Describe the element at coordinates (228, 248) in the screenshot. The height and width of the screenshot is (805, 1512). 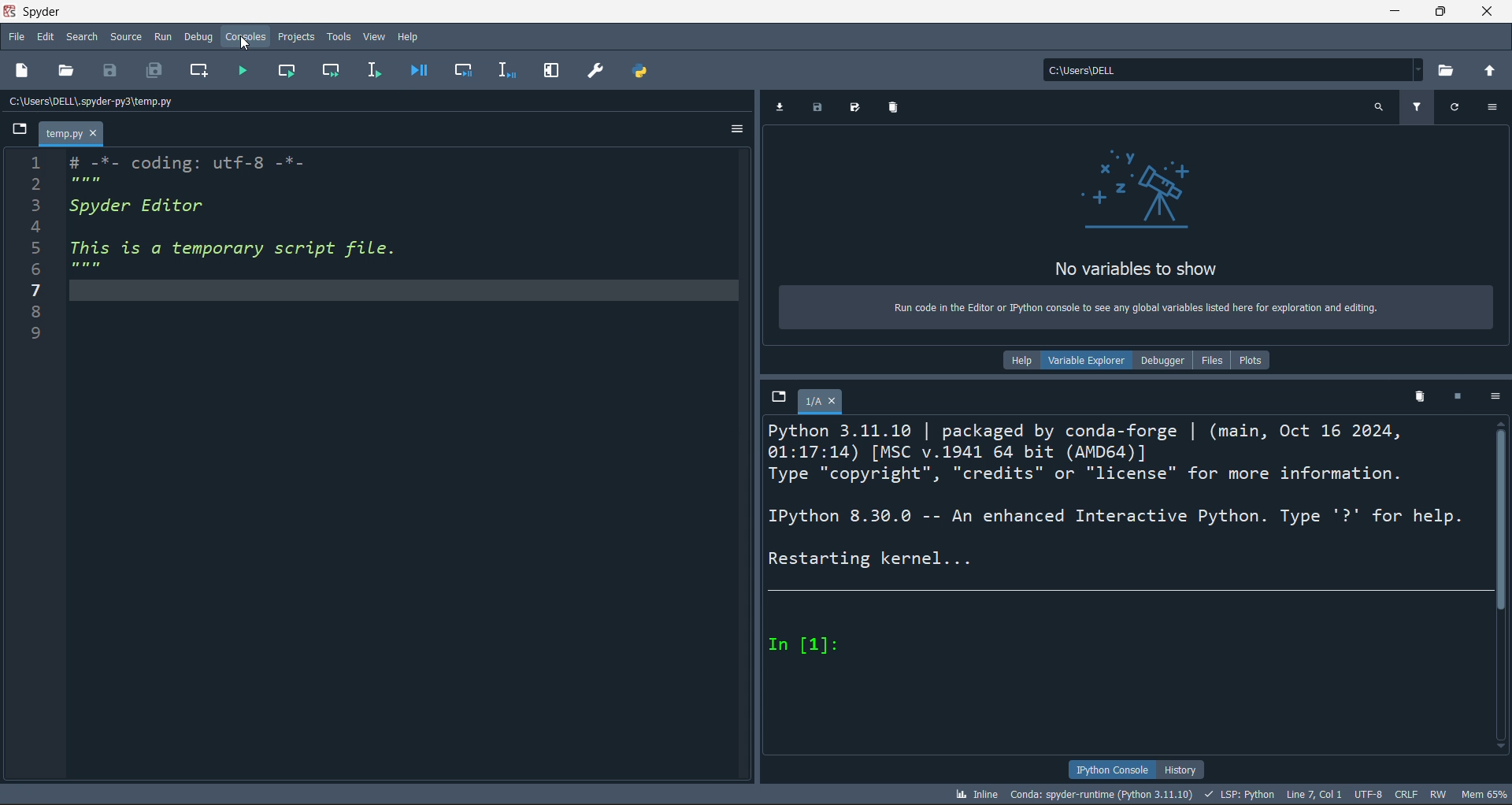
I see `i # -7- coding: utrt-o -"-

PRT

3 Spyder Editor

4

5 This is a temporary script file.
PE

7

8

9` at that location.